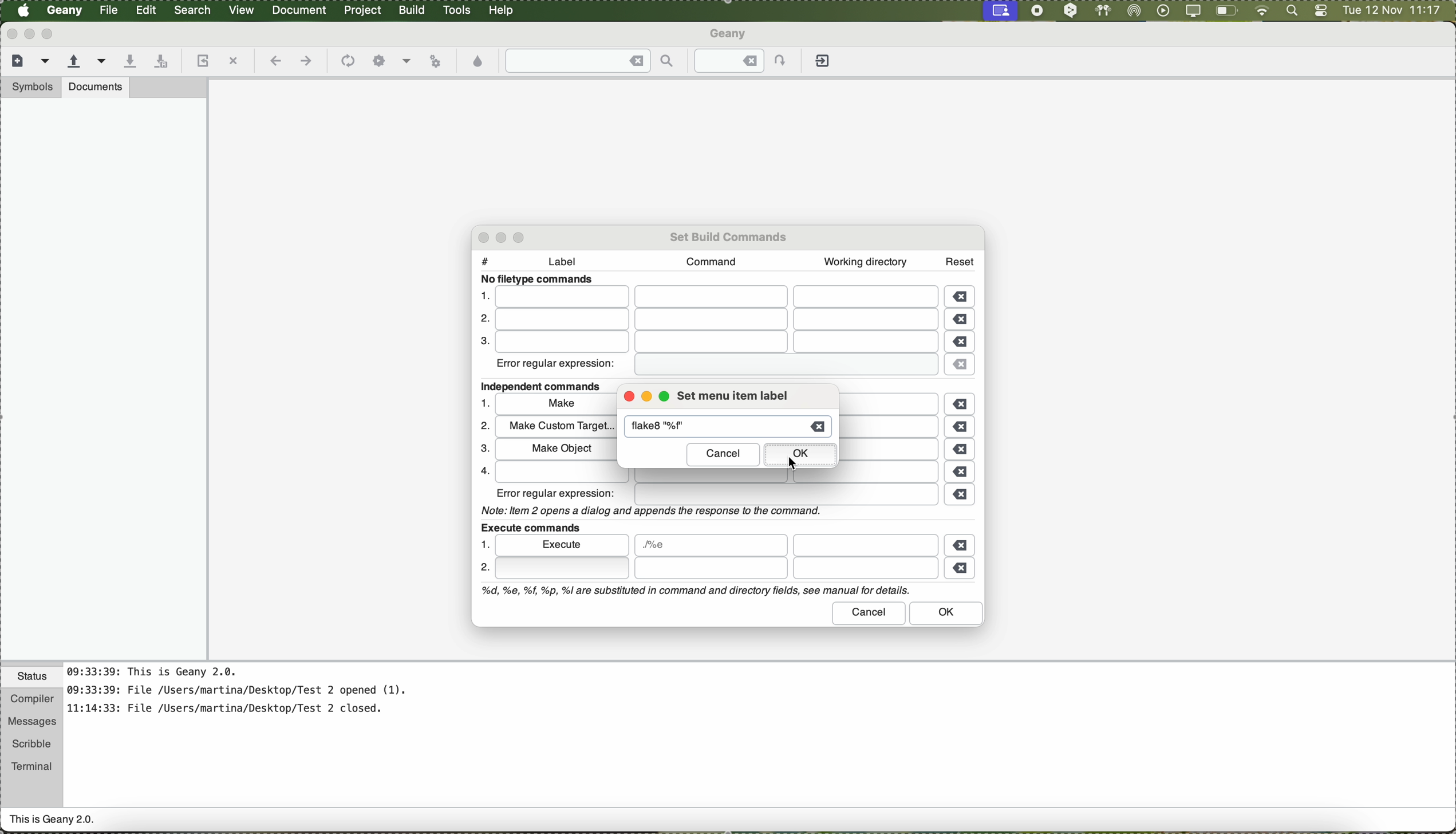 This screenshot has height=834, width=1456. Describe the element at coordinates (53, 821) in the screenshot. I see `this is geany 2.0` at that location.